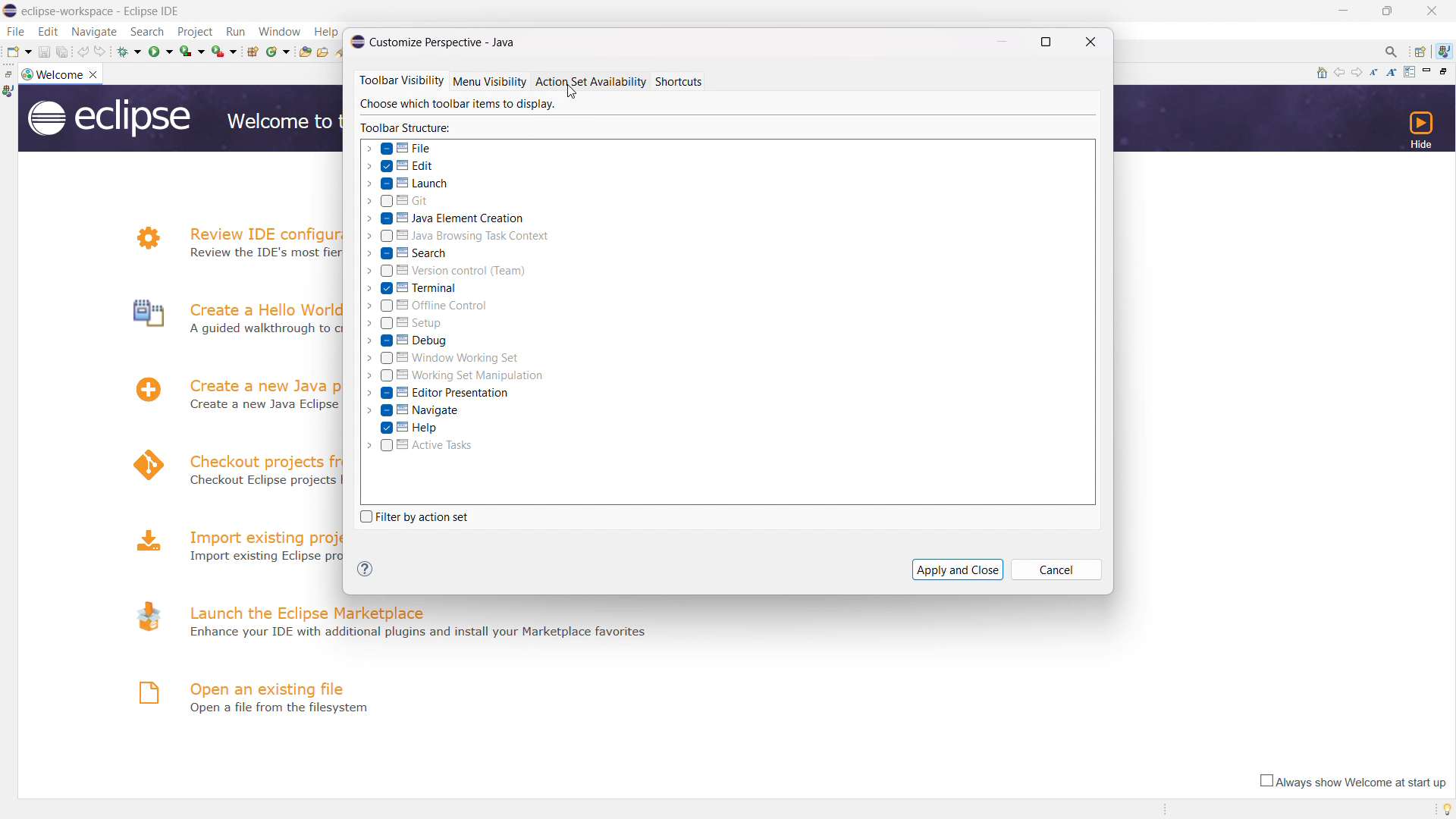 The width and height of the screenshot is (1456, 819). I want to click on run, so click(234, 32).